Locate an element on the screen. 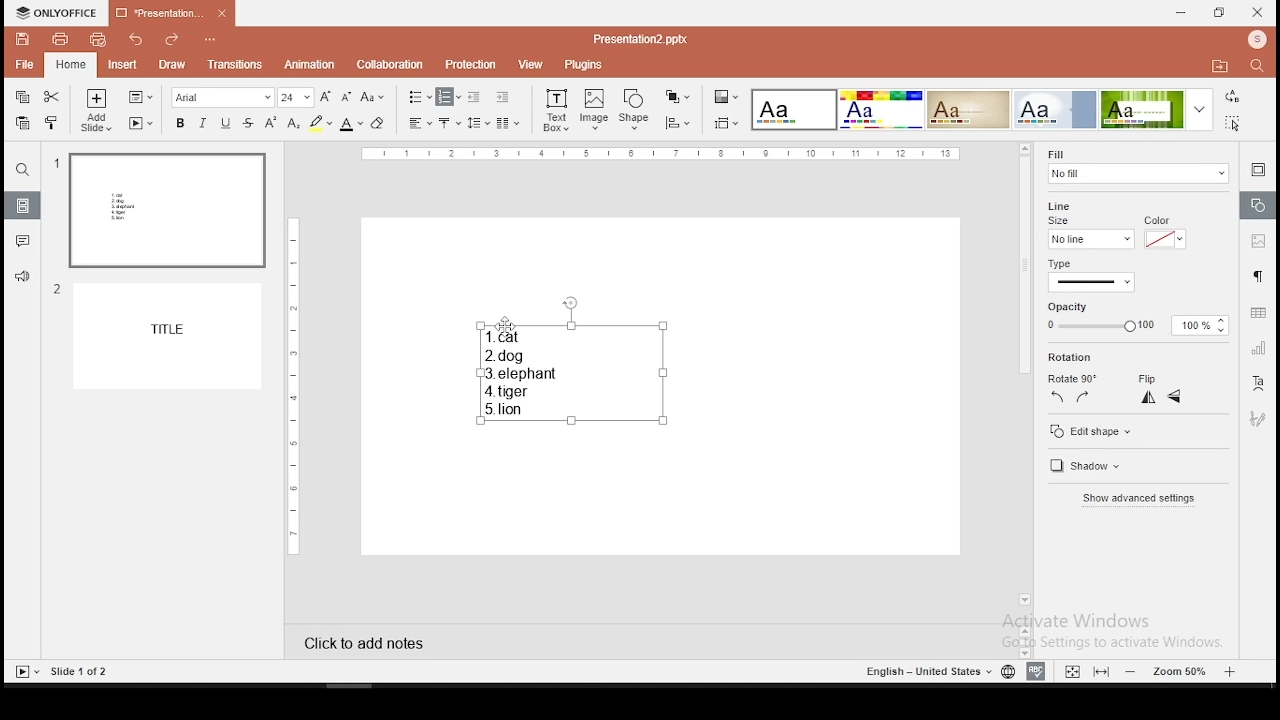 This screenshot has height=720, width=1280. select all is located at coordinates (1236, 125).